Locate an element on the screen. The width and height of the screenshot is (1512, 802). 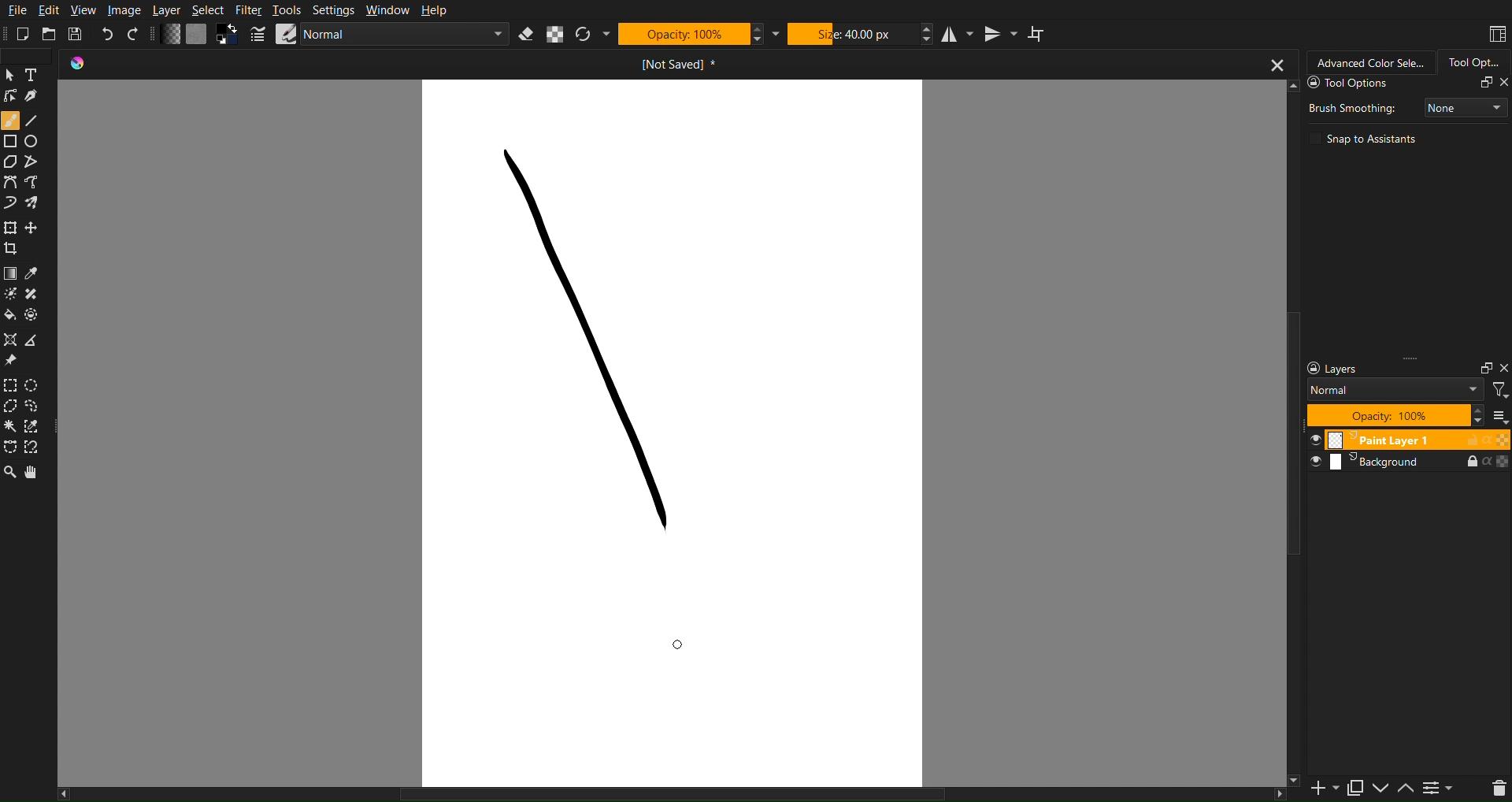
Add Slide is located at coordinates (1323, 789).